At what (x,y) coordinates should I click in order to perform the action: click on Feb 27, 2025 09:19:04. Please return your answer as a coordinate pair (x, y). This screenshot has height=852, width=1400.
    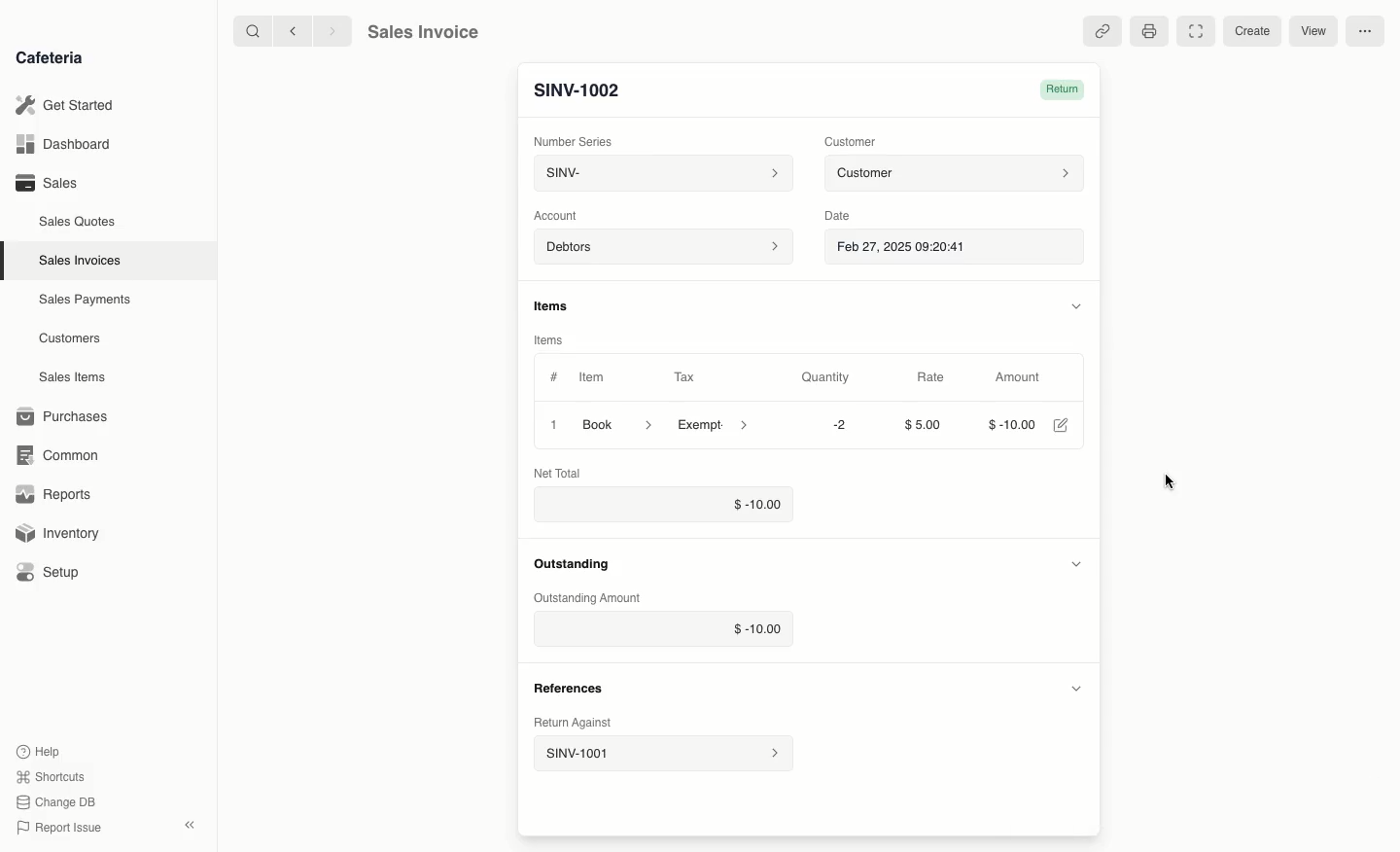
    Looking at the image, I should click on (956, 248).